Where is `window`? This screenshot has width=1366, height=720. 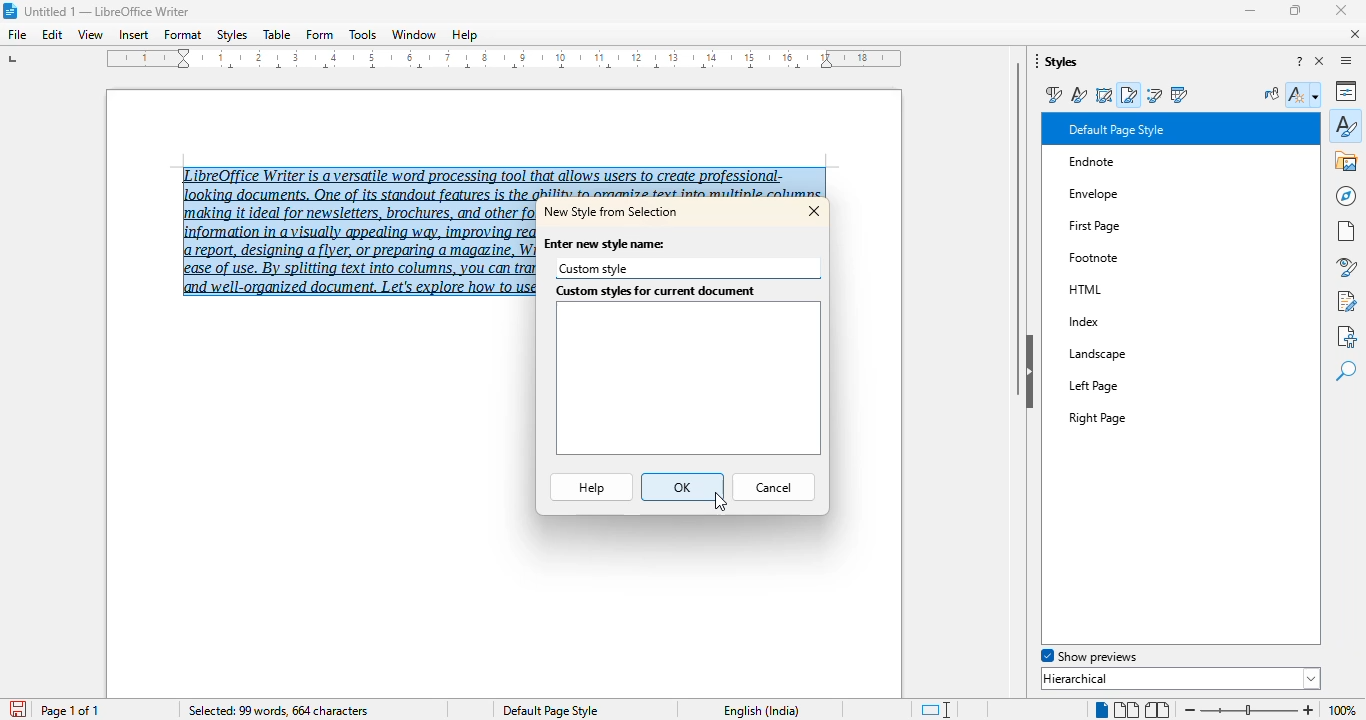 window is located at coordinates (415, 34).